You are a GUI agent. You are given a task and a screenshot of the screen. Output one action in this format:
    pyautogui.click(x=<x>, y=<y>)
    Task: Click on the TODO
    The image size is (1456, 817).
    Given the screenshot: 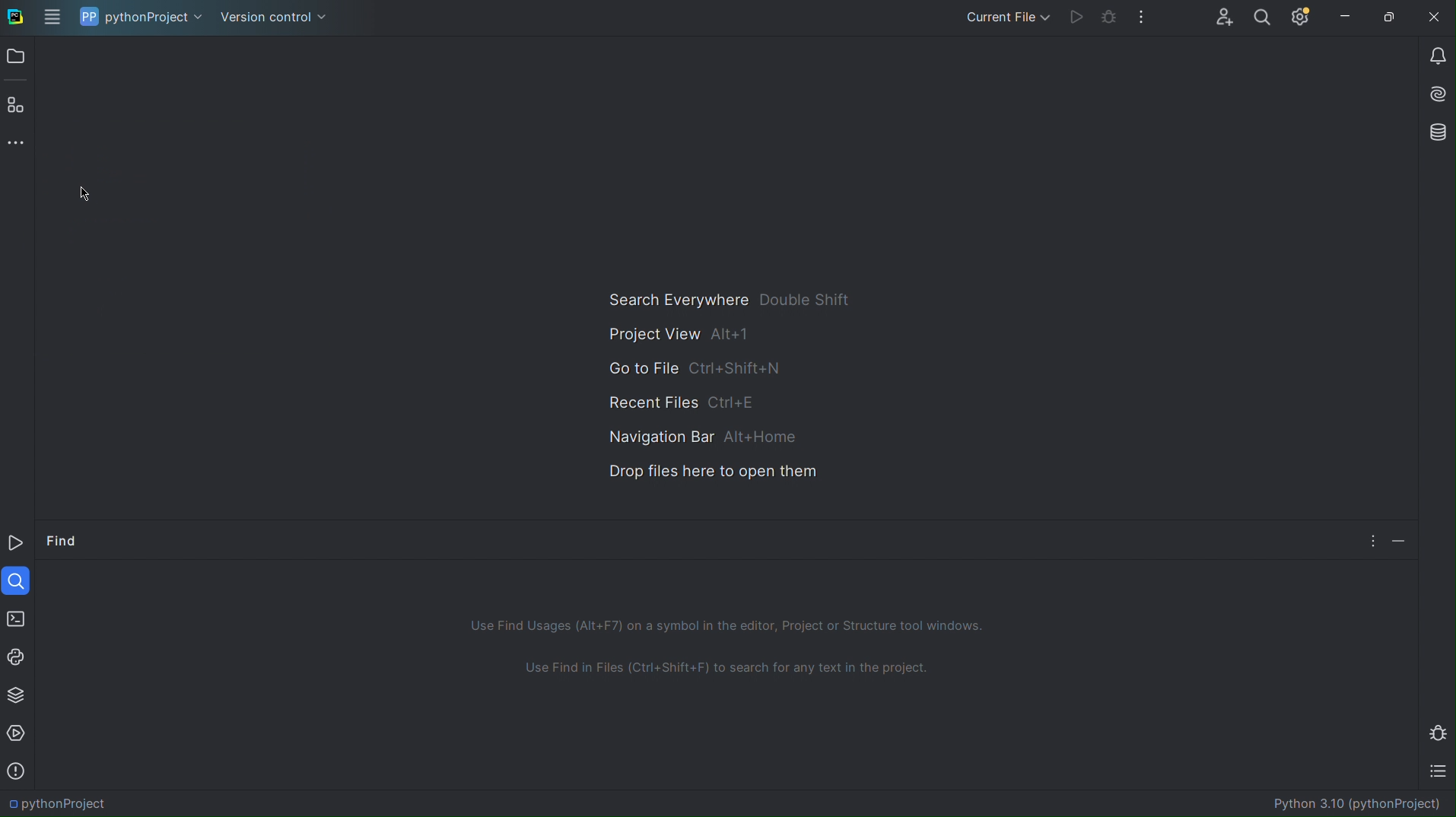 What is the action you would take?
    pyautogui.click(x=1435, y=771)
    